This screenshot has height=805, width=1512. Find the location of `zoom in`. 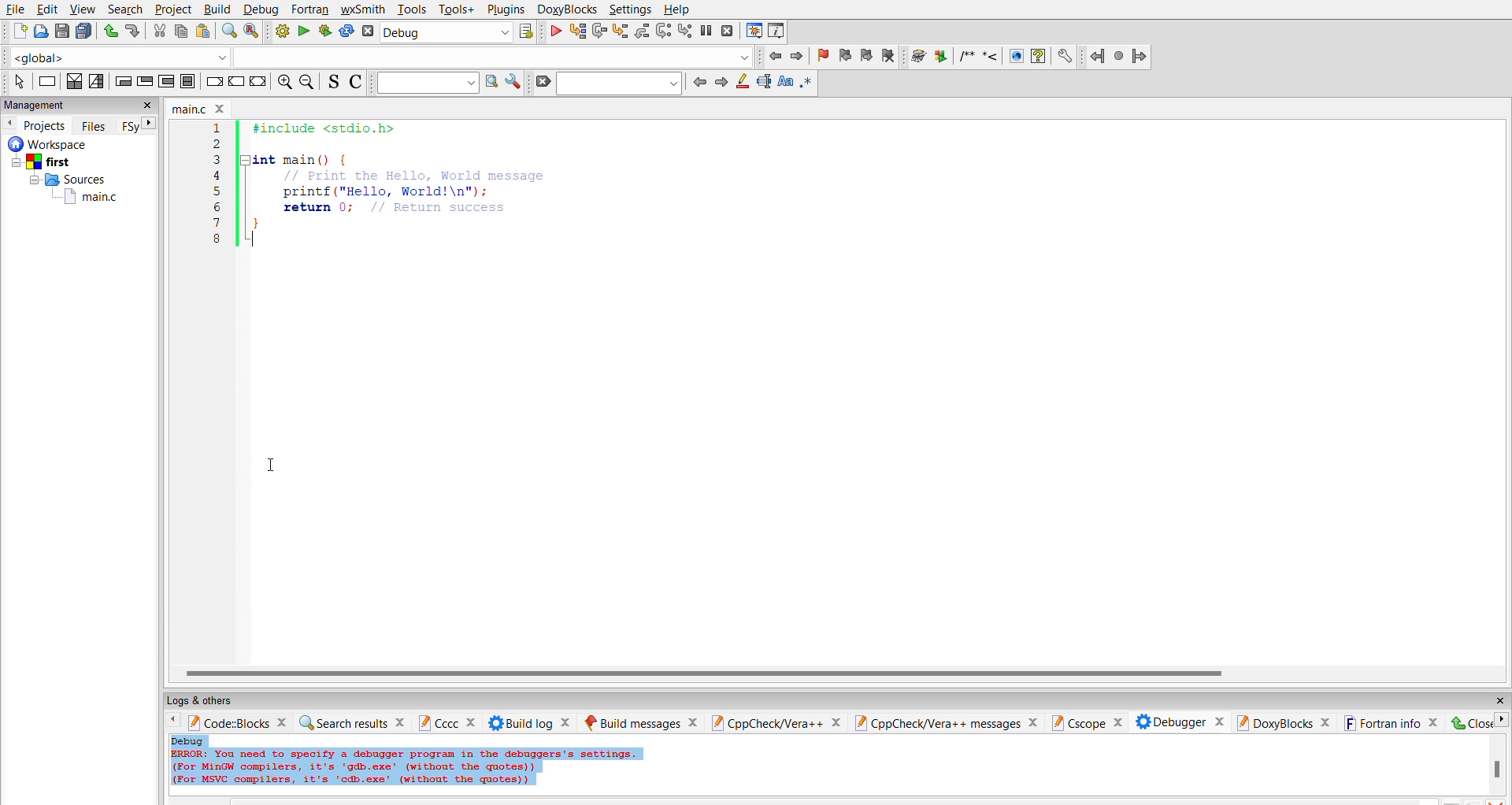

zoom in is located at coordinates (283, 82).